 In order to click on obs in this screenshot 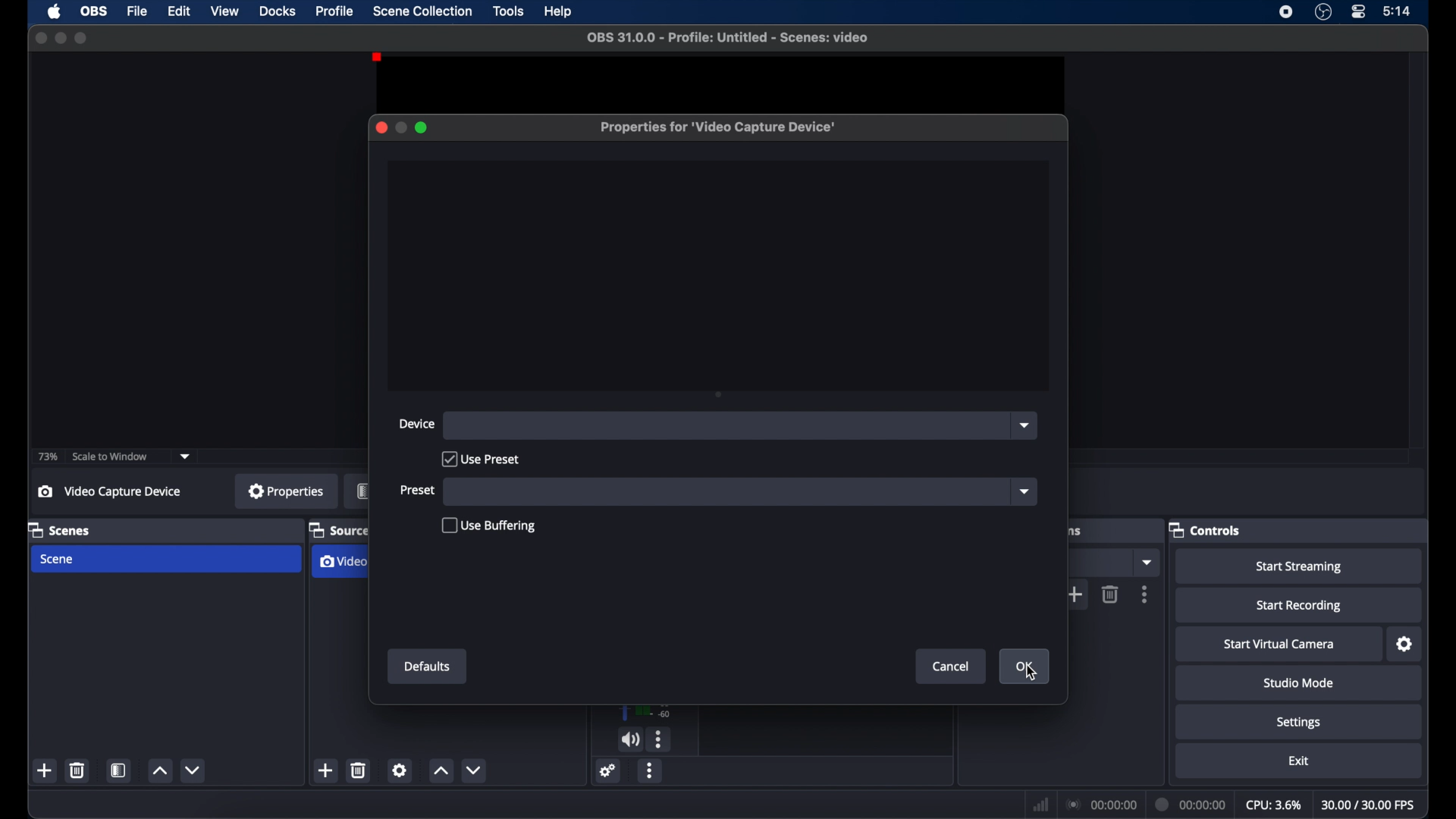, I will do `click(94, 11)`.